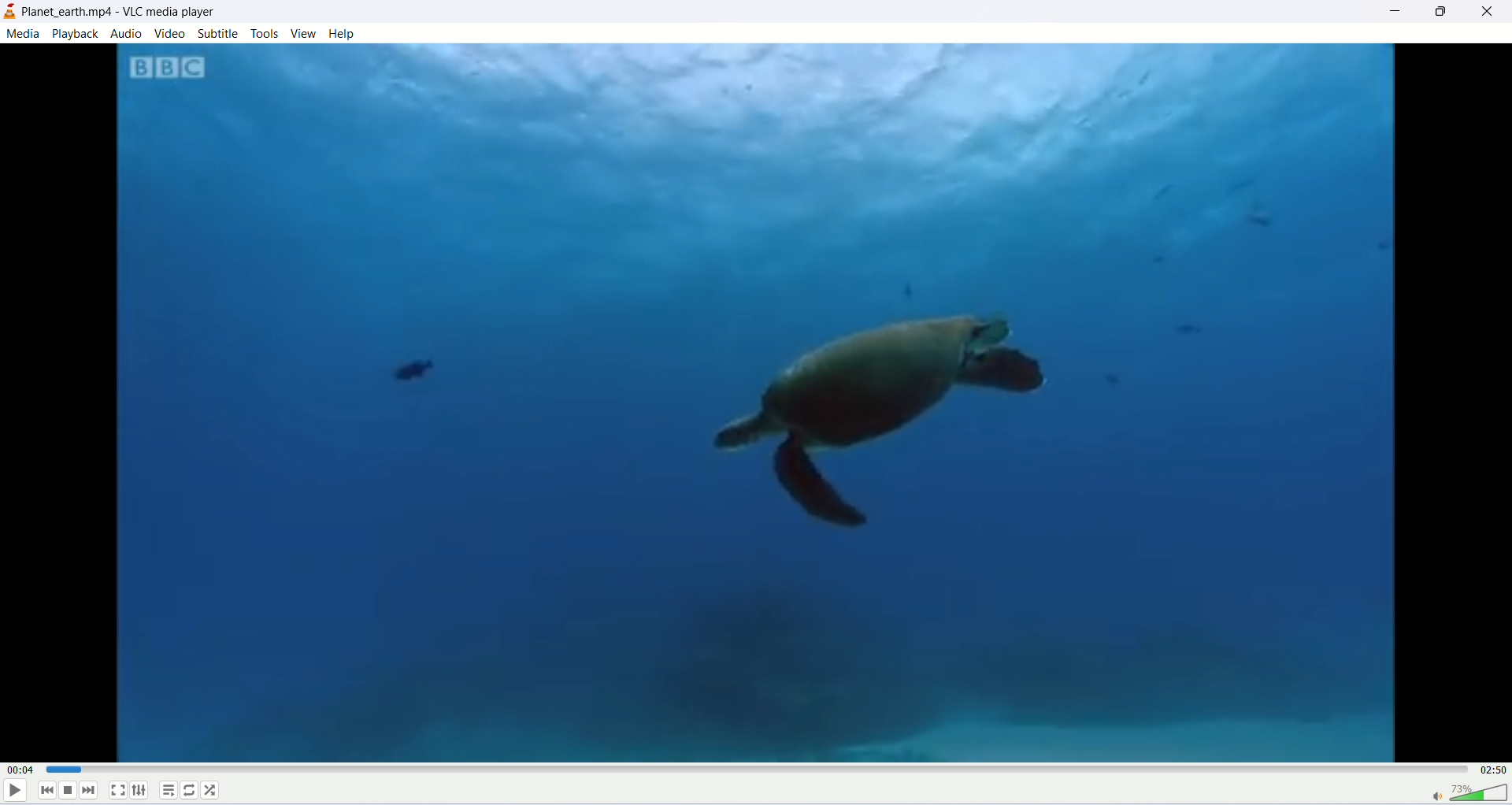 Image resolution: width=1512 pixels, height=805 pixels. What do you see at coordinates (301, 33) in the screenshot?
I see `view` at bounding box center [301, 33].